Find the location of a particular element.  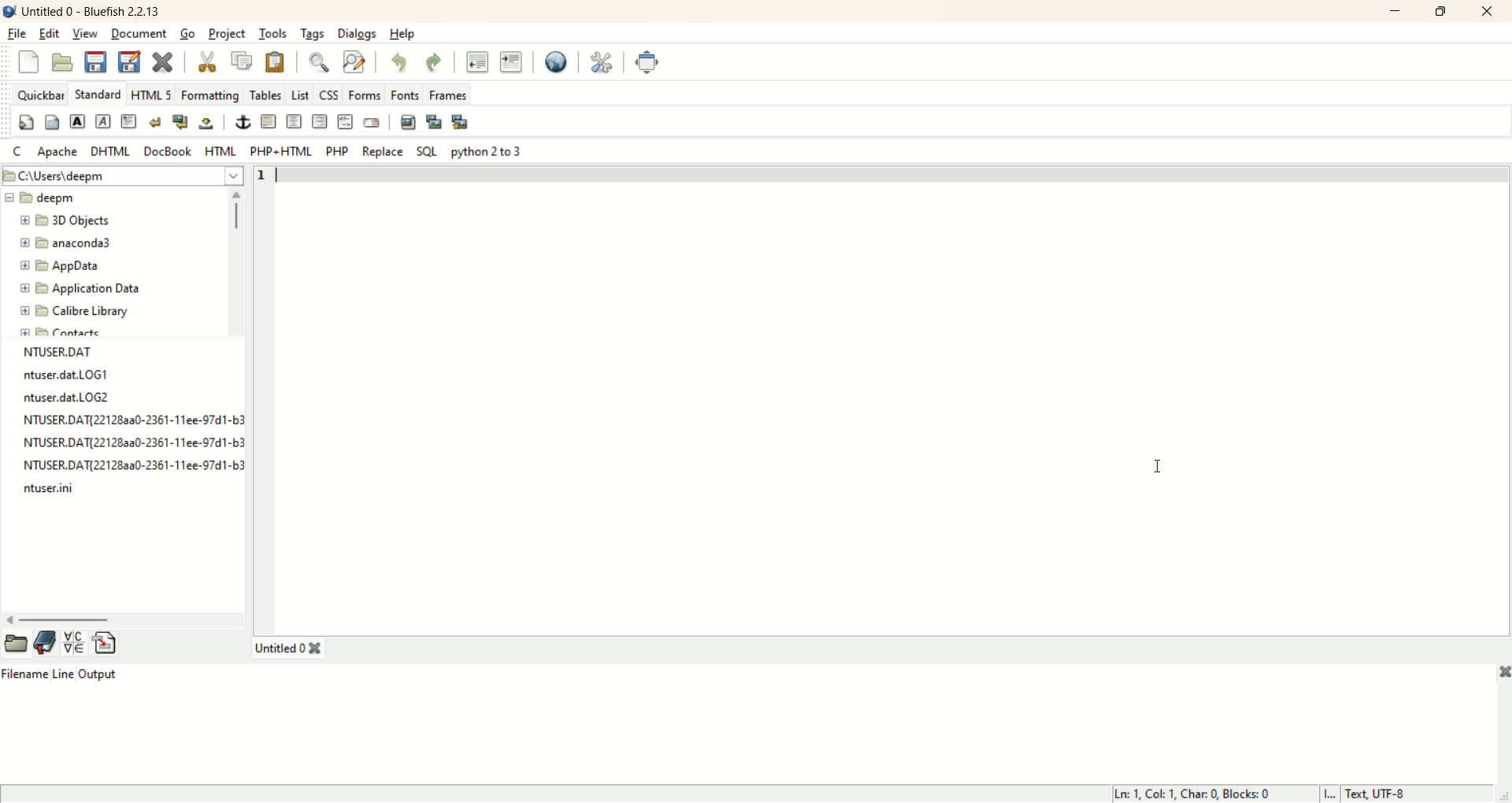

application data is located at coordinates (80, 289).